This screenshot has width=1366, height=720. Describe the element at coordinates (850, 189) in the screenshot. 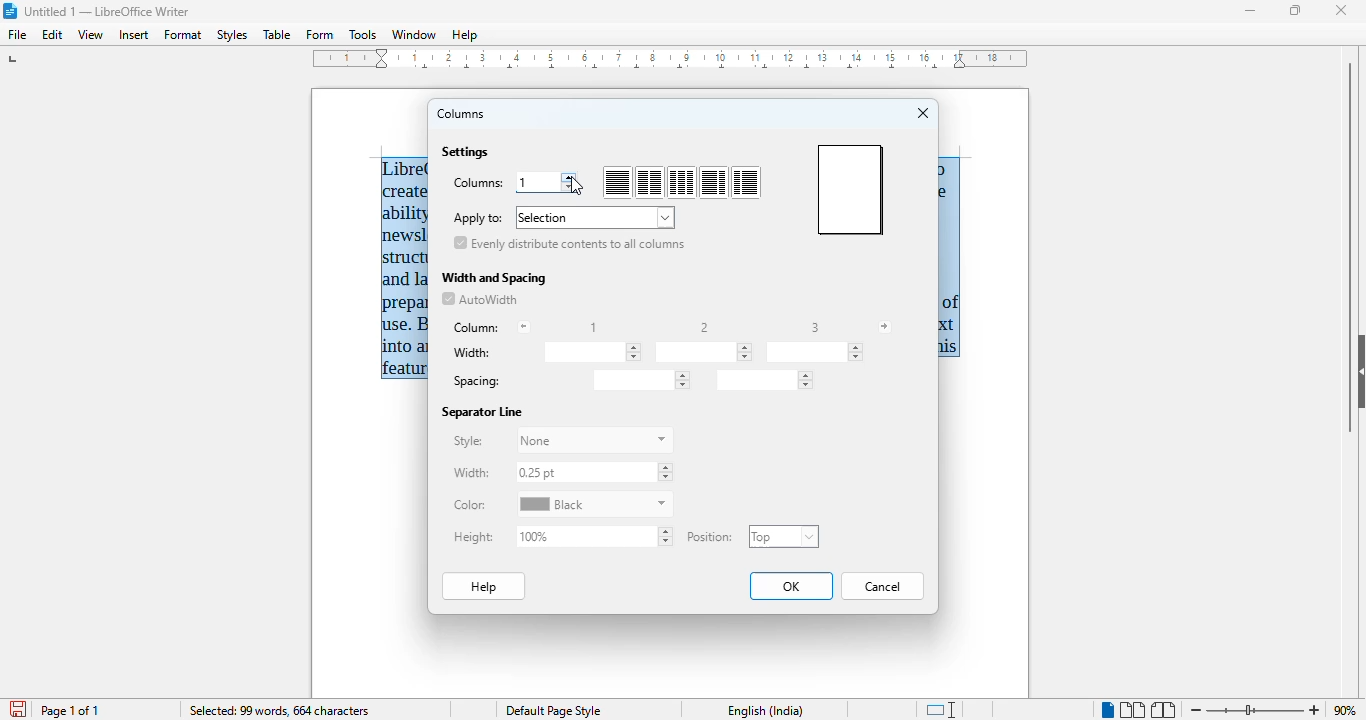

I see `page view` at that location.